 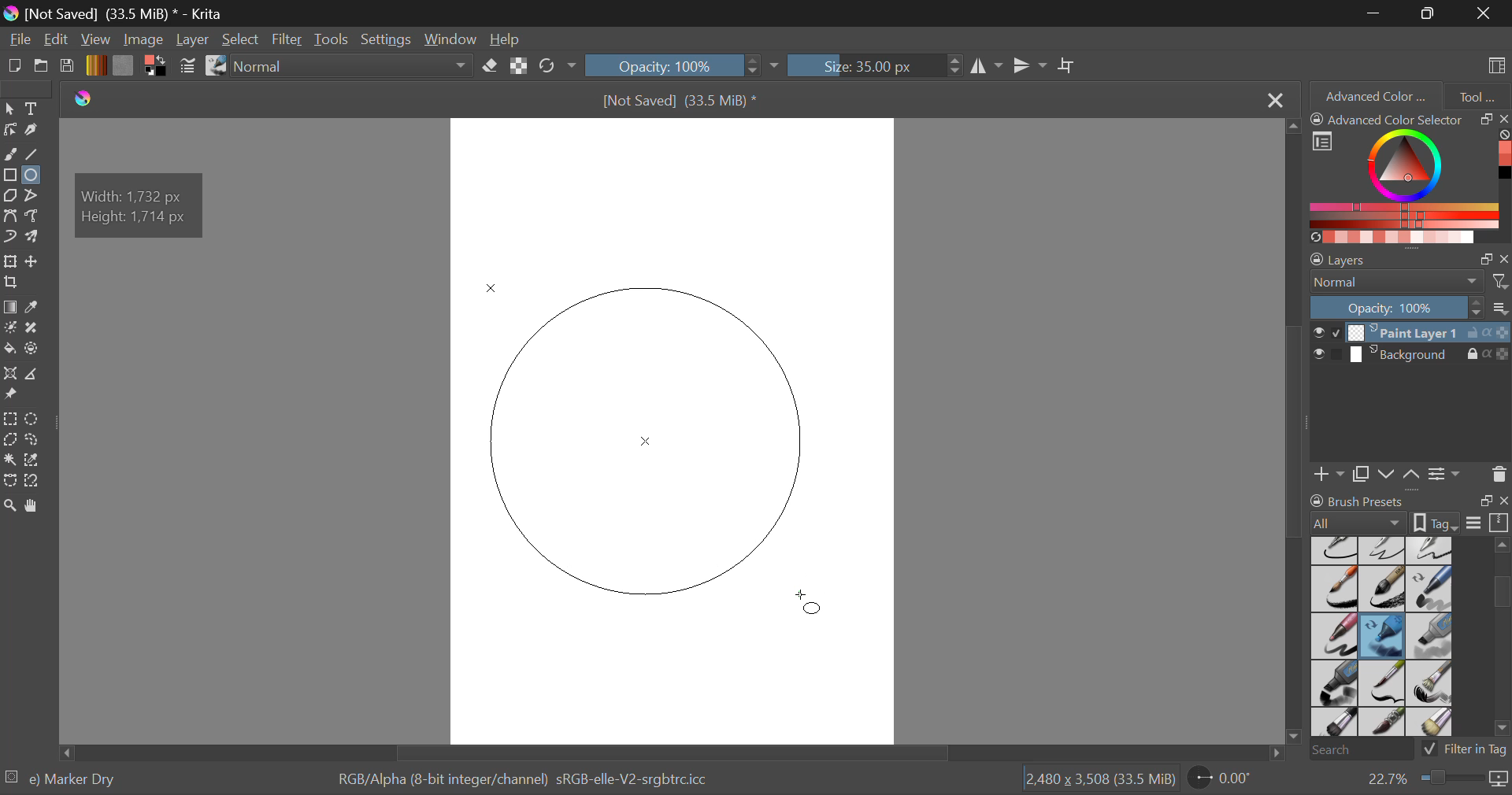 I want to click on Multibrush Tool, so click(x=37, y=238).